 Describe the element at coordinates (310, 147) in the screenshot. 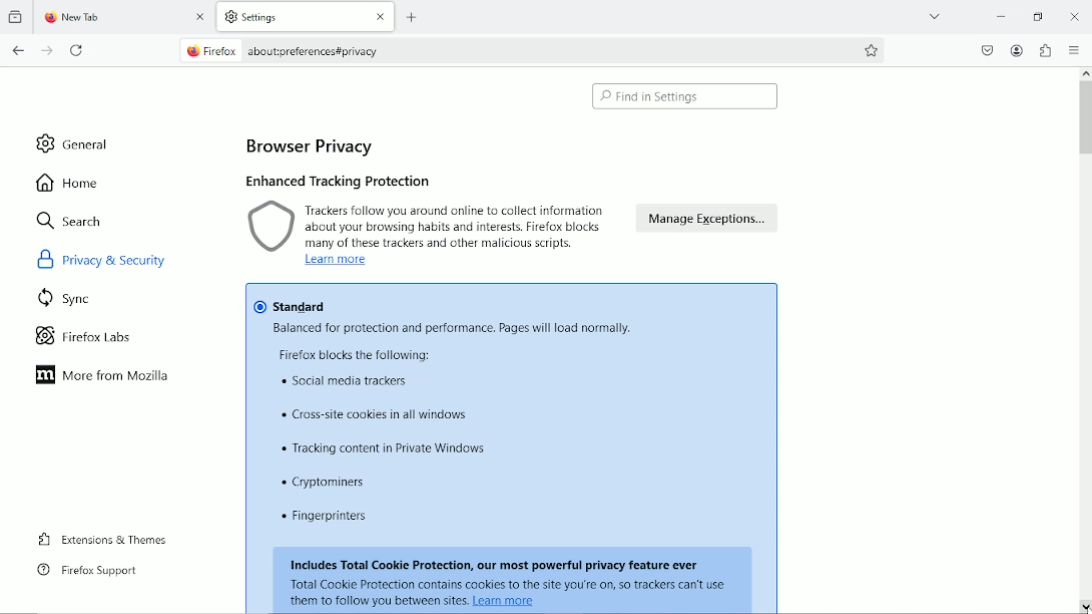

I see `browser privacy` at that location.